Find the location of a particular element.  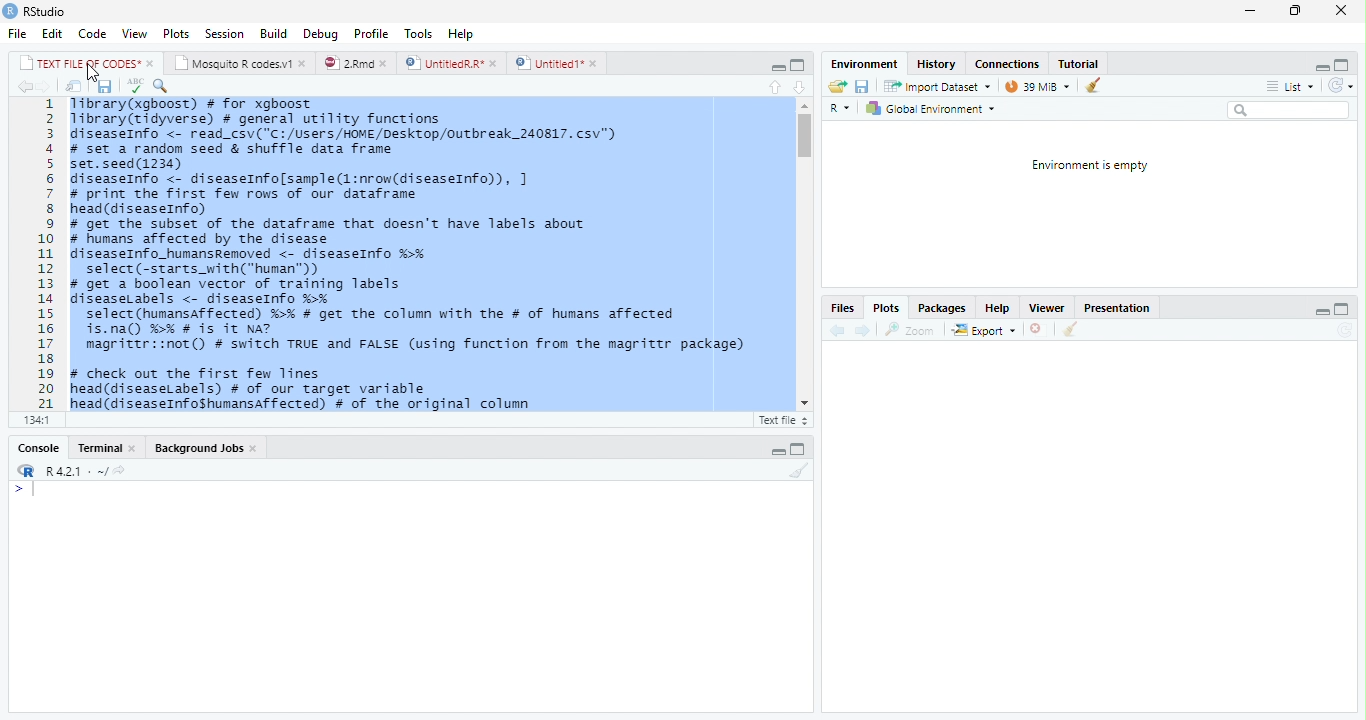

Zoom is located at coordinates (911, 328).